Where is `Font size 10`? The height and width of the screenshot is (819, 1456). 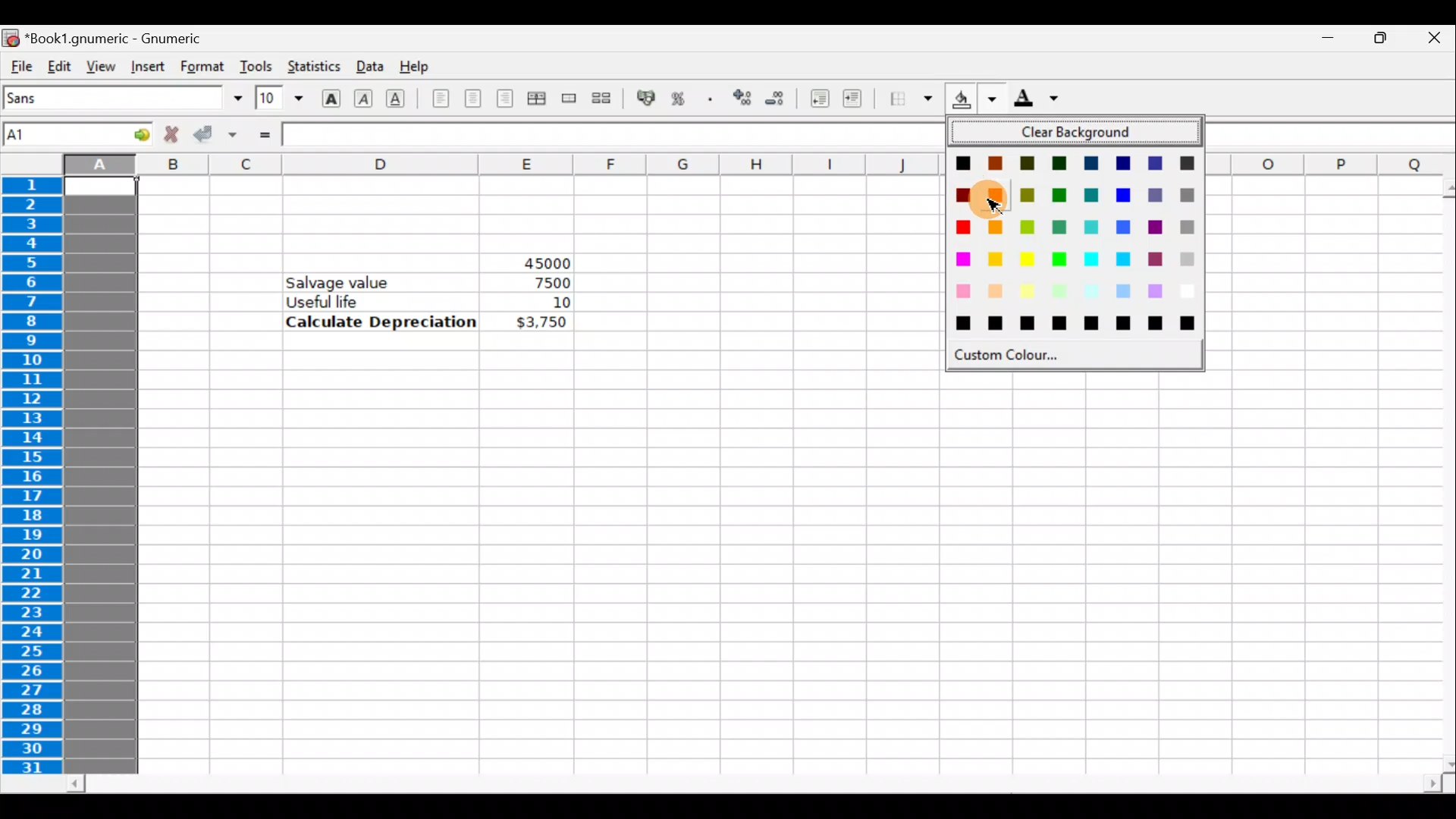 Font size 10 is located at coordinates (275, 99).